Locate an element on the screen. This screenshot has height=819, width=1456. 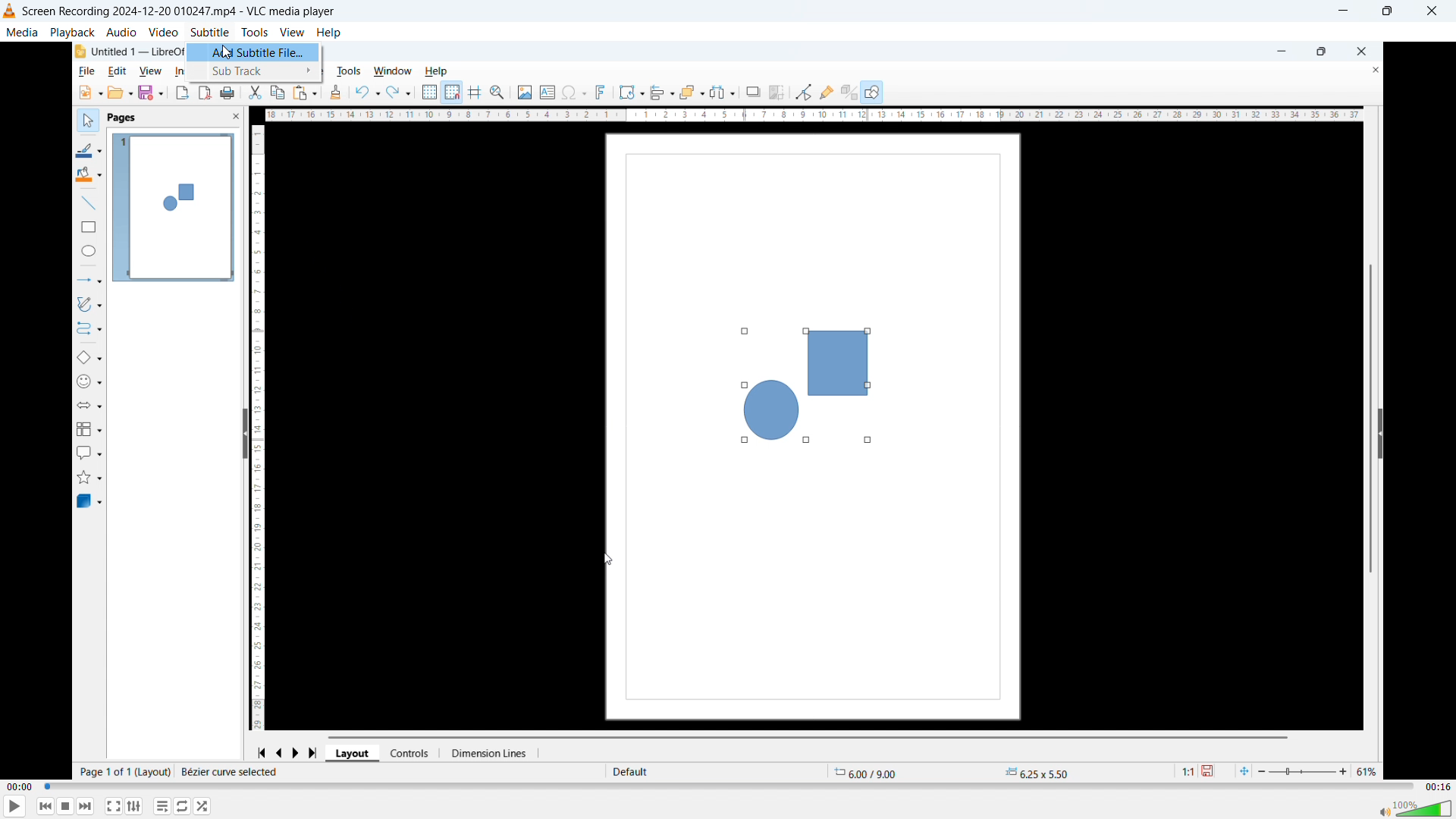
select at least three object to distribute is located at coordinates (725, 93).